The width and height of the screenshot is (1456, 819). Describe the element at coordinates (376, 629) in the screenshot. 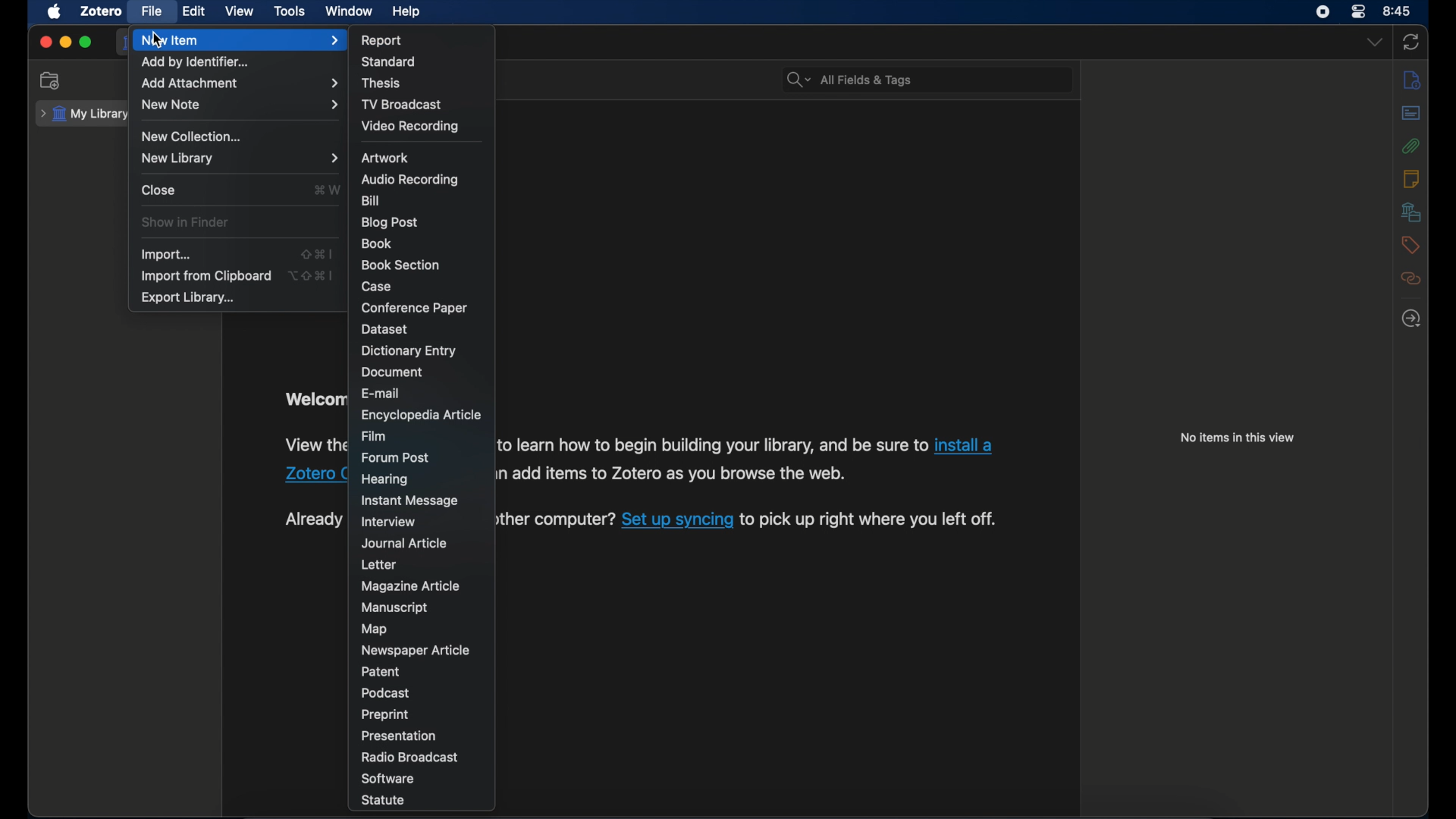

I see `map` at that location.